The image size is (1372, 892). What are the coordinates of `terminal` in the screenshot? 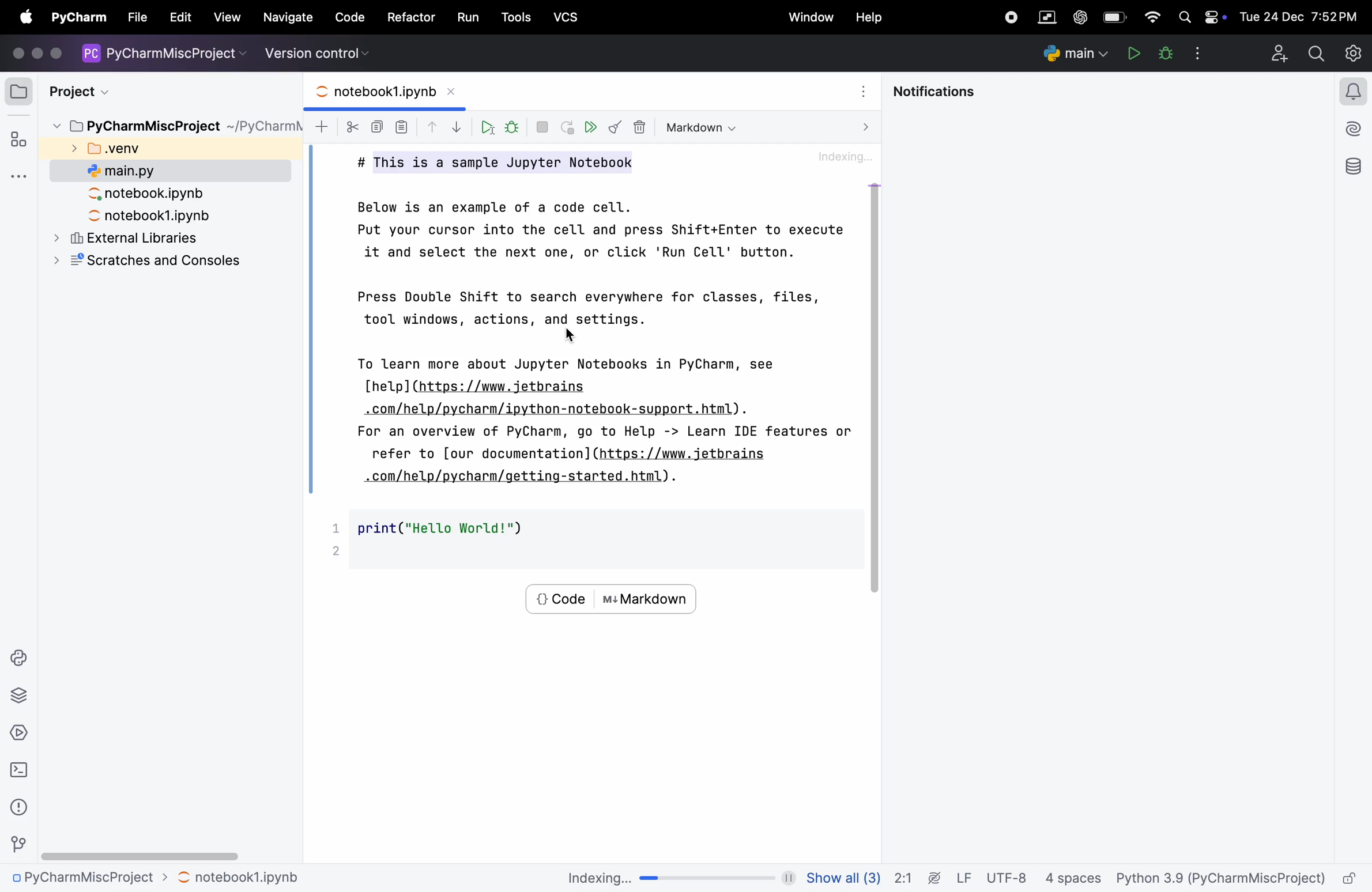 It's located at (20, 772).